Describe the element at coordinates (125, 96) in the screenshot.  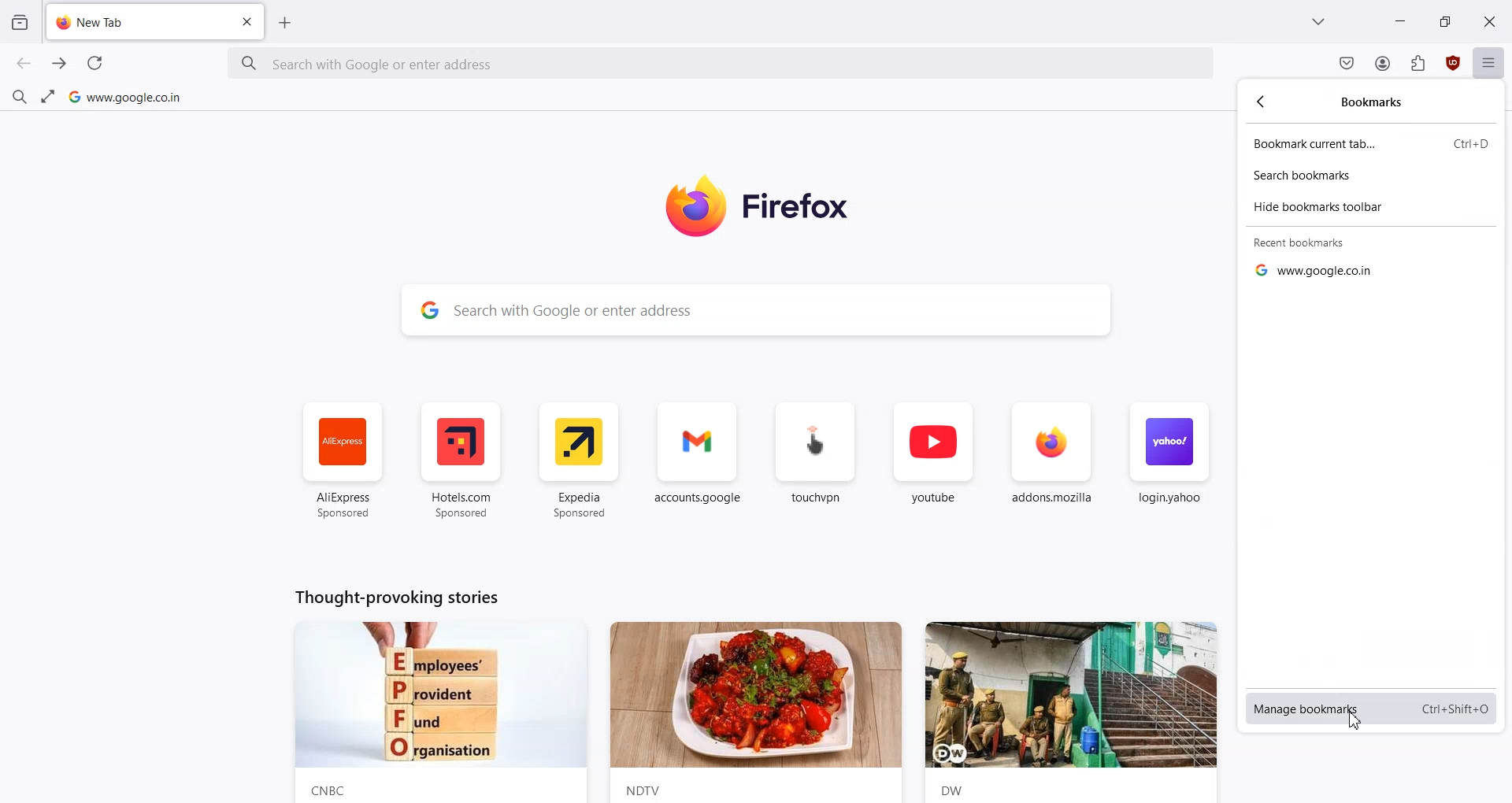
I see `Google home page` at that location.